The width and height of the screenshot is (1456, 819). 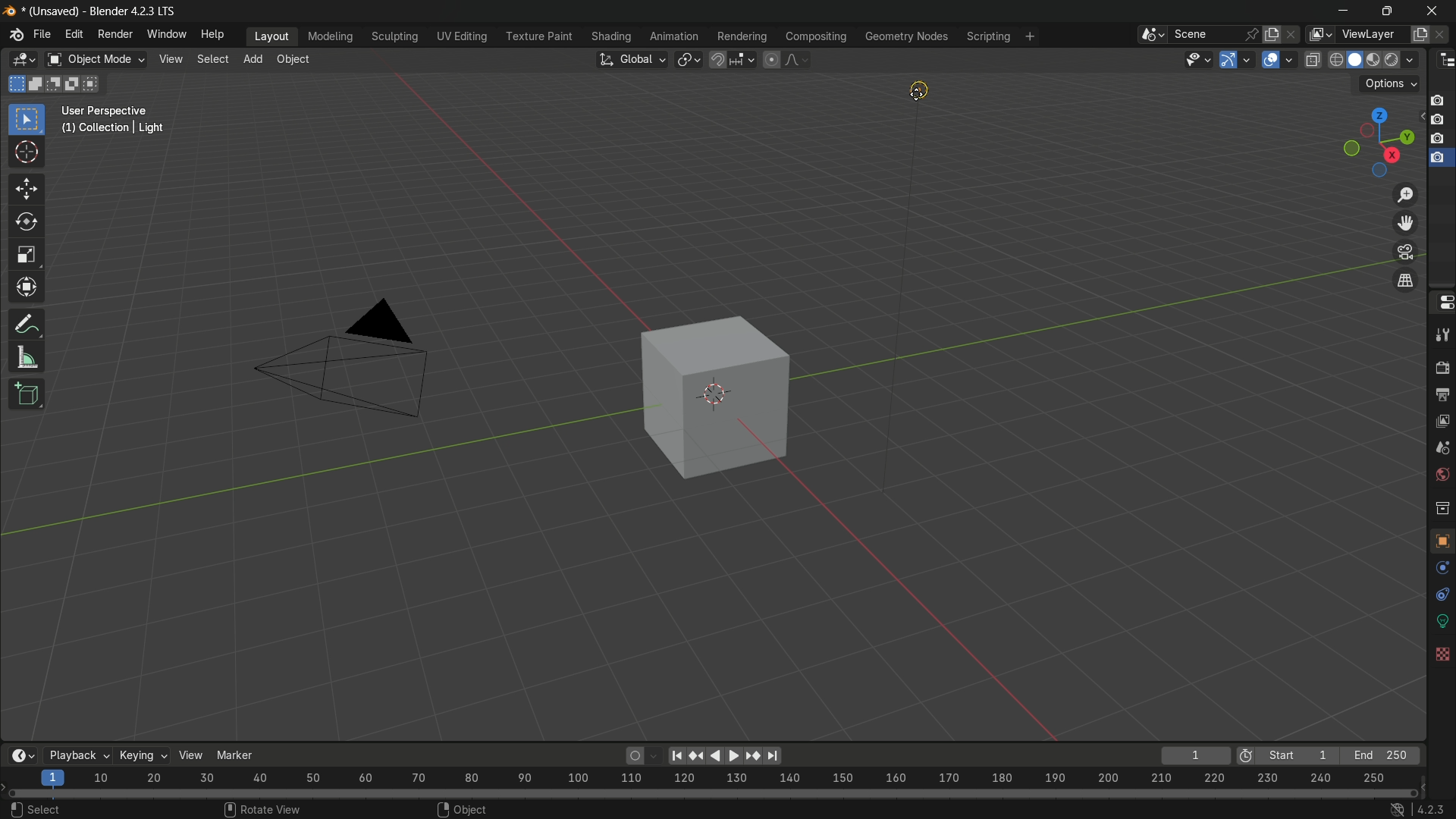 What do you see at coordinates (642, 755) in the screenshot?
I see `auto keyframing` at bounding box center [642, 755].